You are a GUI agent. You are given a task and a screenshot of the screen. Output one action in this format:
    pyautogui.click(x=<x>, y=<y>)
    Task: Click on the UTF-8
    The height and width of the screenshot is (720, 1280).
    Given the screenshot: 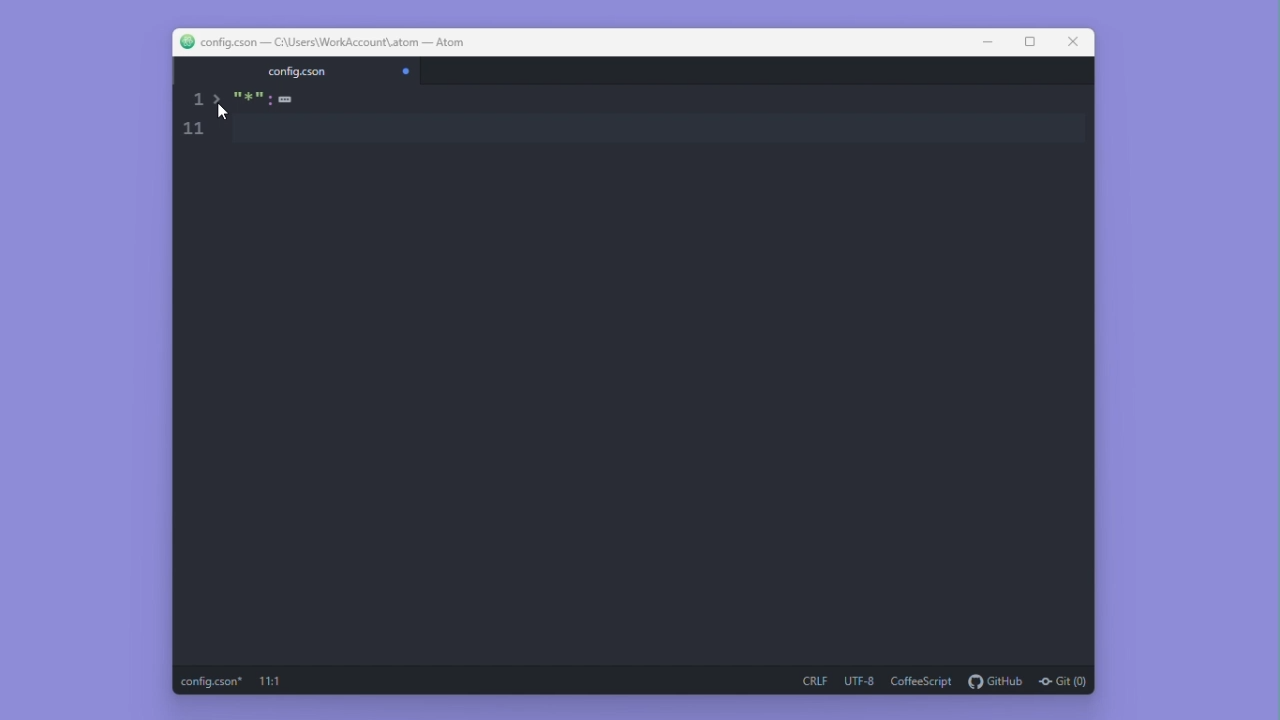 What is the action you would take?
    pyautogui.click(x=861, y=681)
    